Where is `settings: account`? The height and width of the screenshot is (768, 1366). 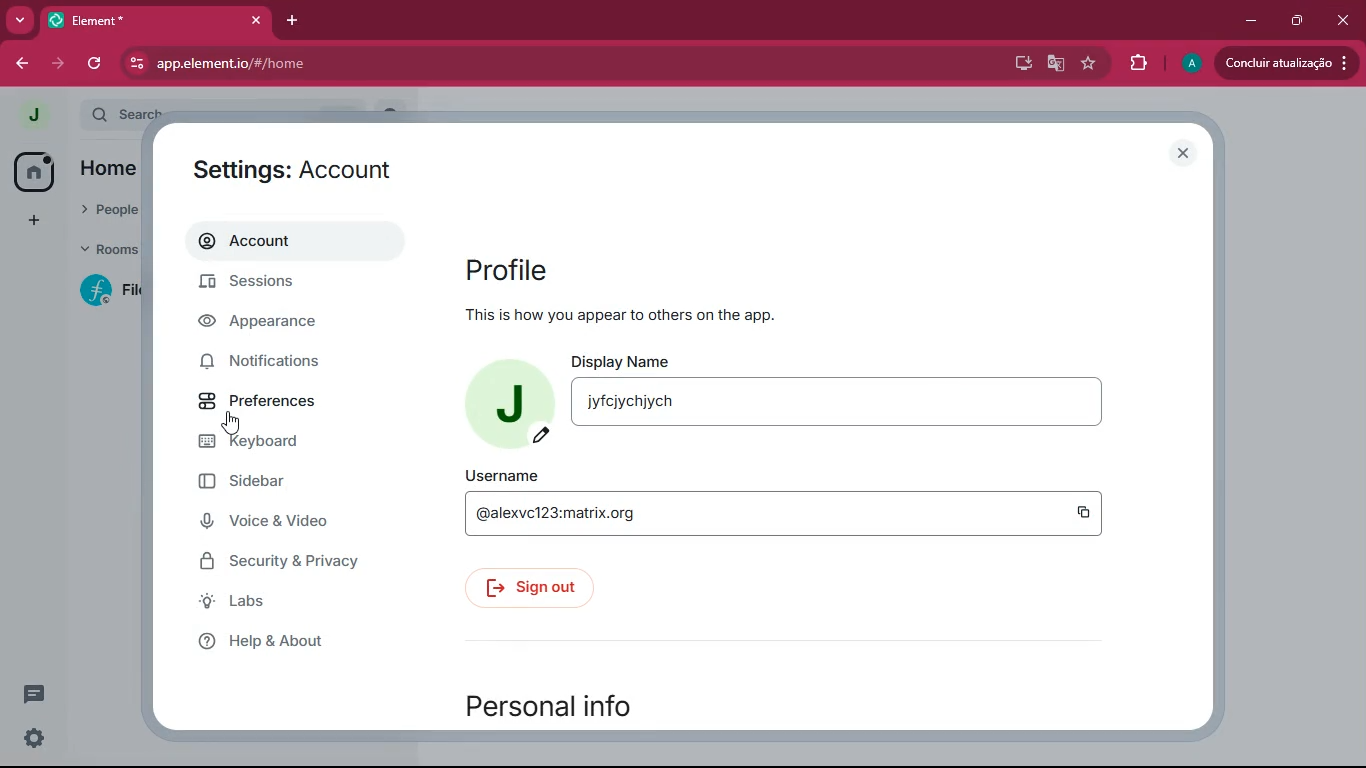
settings: account is located at coordinates (290, 171).